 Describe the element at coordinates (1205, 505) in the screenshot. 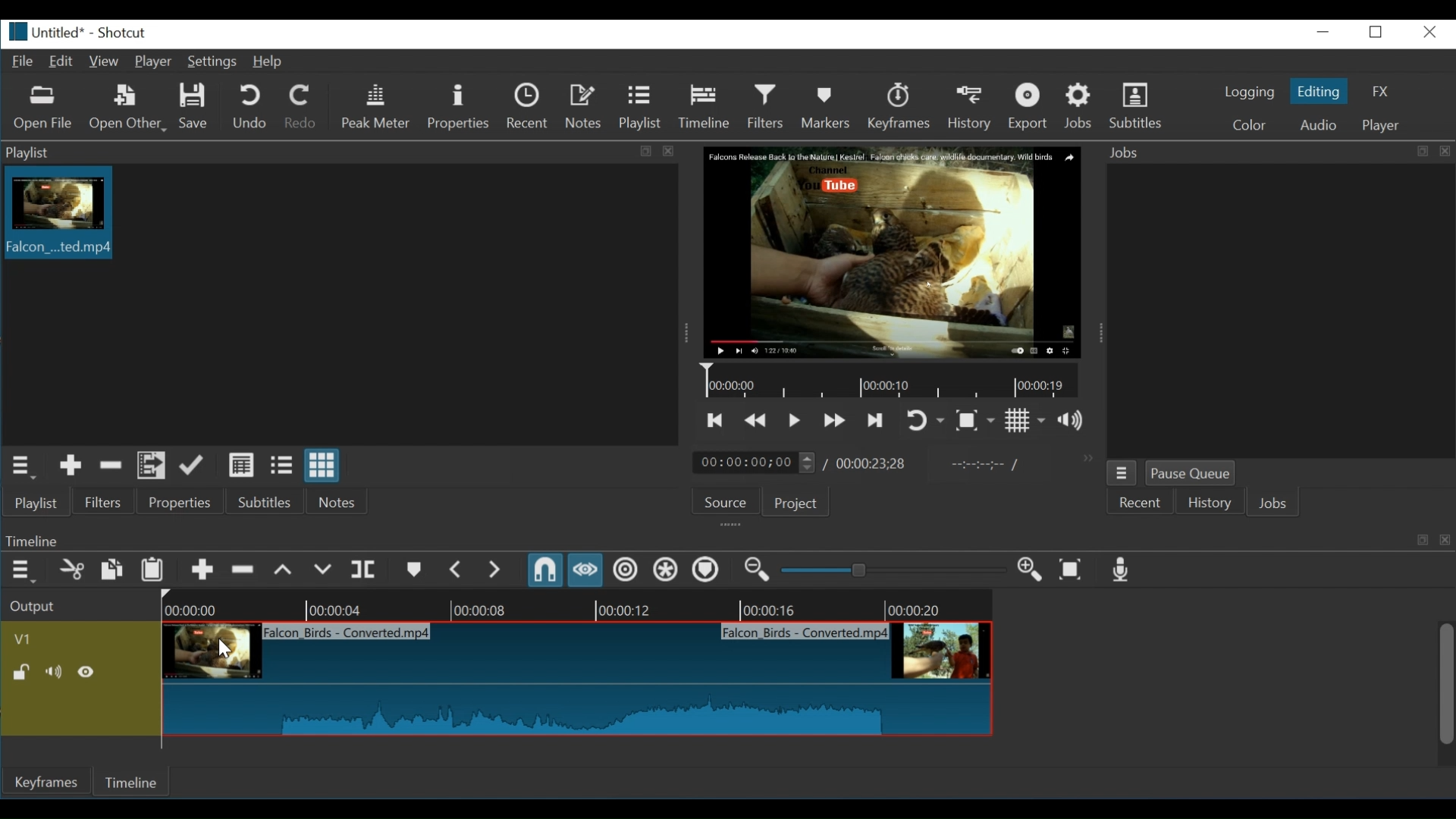

I see `History` at that location.